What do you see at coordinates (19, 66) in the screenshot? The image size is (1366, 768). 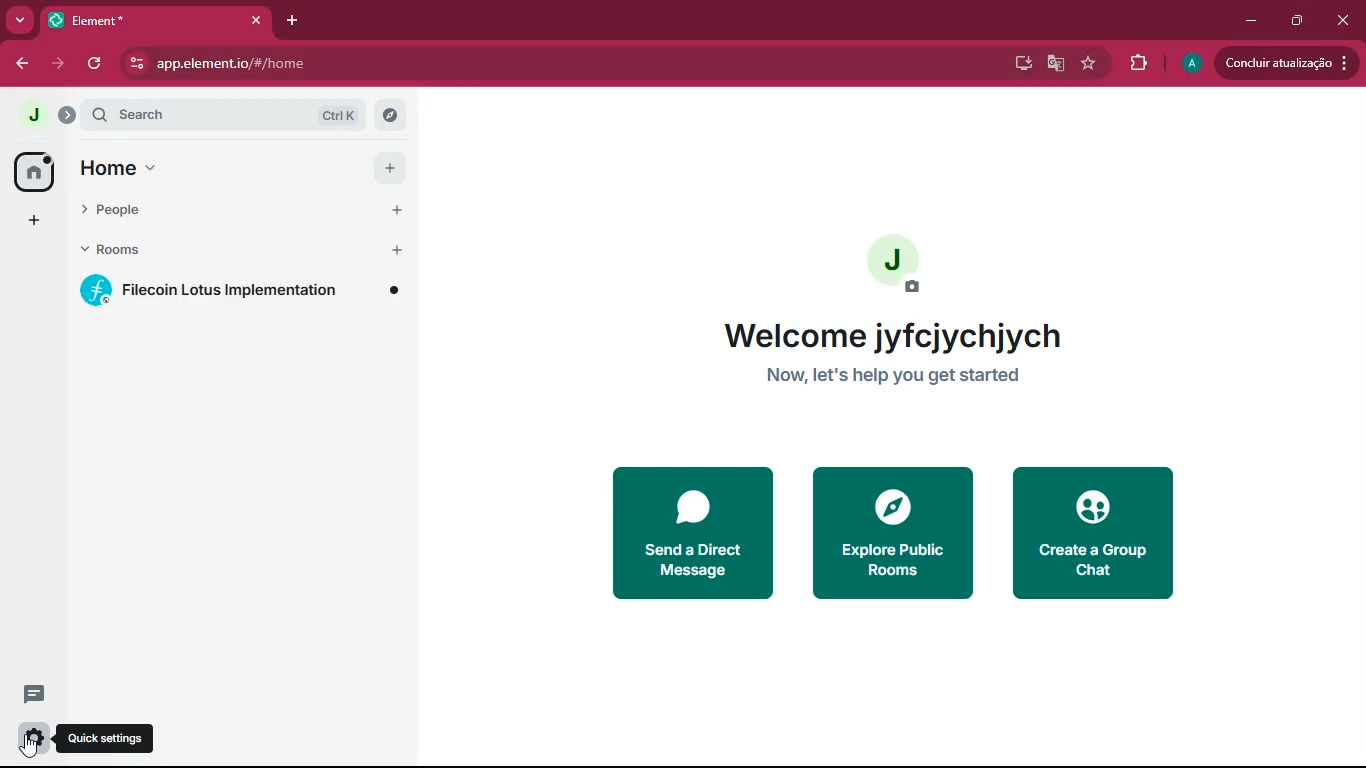 I see `back` at bounding box center [19, 66].